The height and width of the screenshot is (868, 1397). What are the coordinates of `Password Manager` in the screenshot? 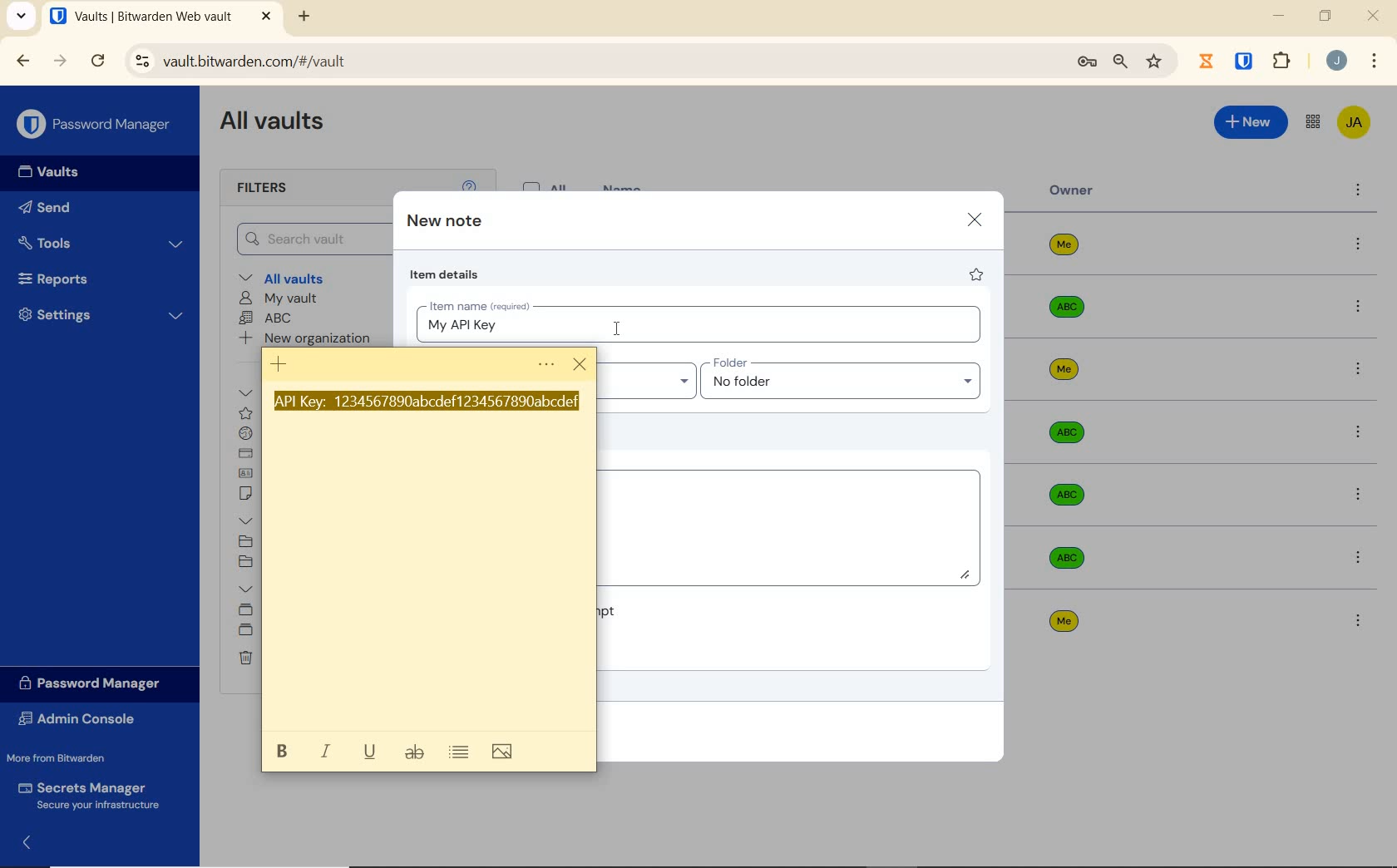 It's located at (95, 683).